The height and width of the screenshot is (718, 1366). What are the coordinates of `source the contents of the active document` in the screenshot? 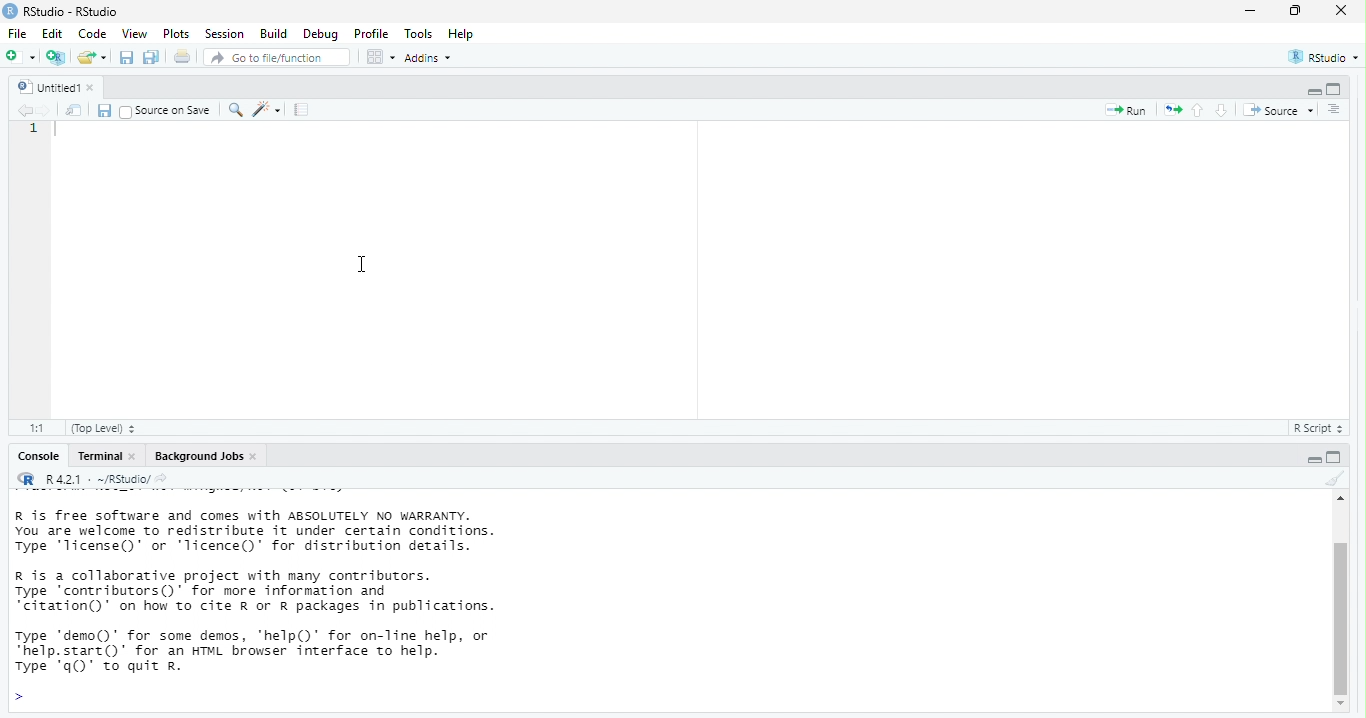 It's located at (1282, 111).